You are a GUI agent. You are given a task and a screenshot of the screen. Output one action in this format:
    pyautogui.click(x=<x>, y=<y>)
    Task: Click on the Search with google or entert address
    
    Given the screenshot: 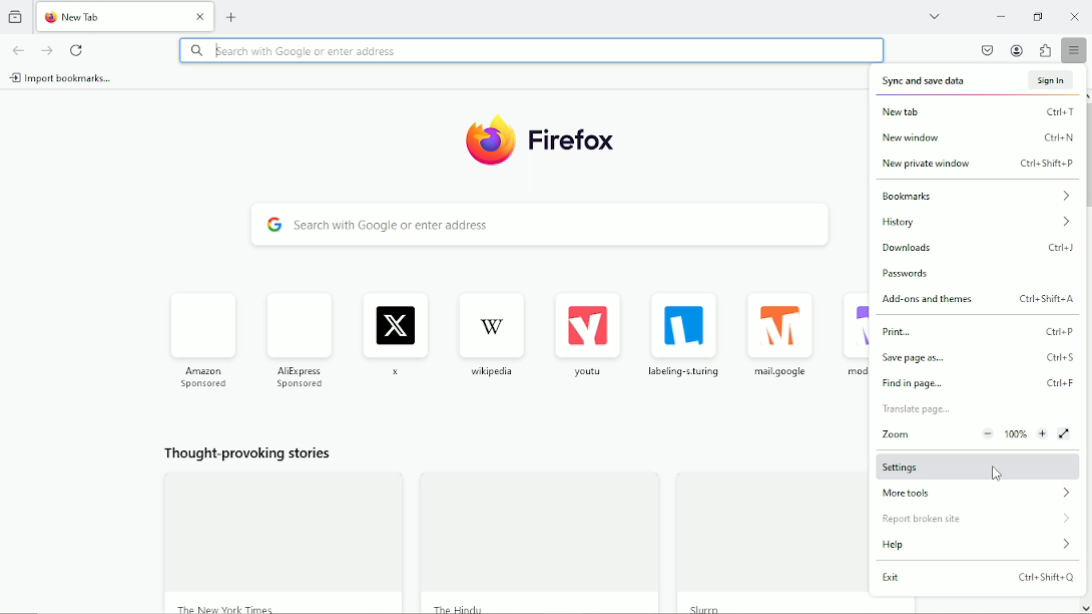 What is the action you would take?
    pyautogui.click(x=541, y=225)
    